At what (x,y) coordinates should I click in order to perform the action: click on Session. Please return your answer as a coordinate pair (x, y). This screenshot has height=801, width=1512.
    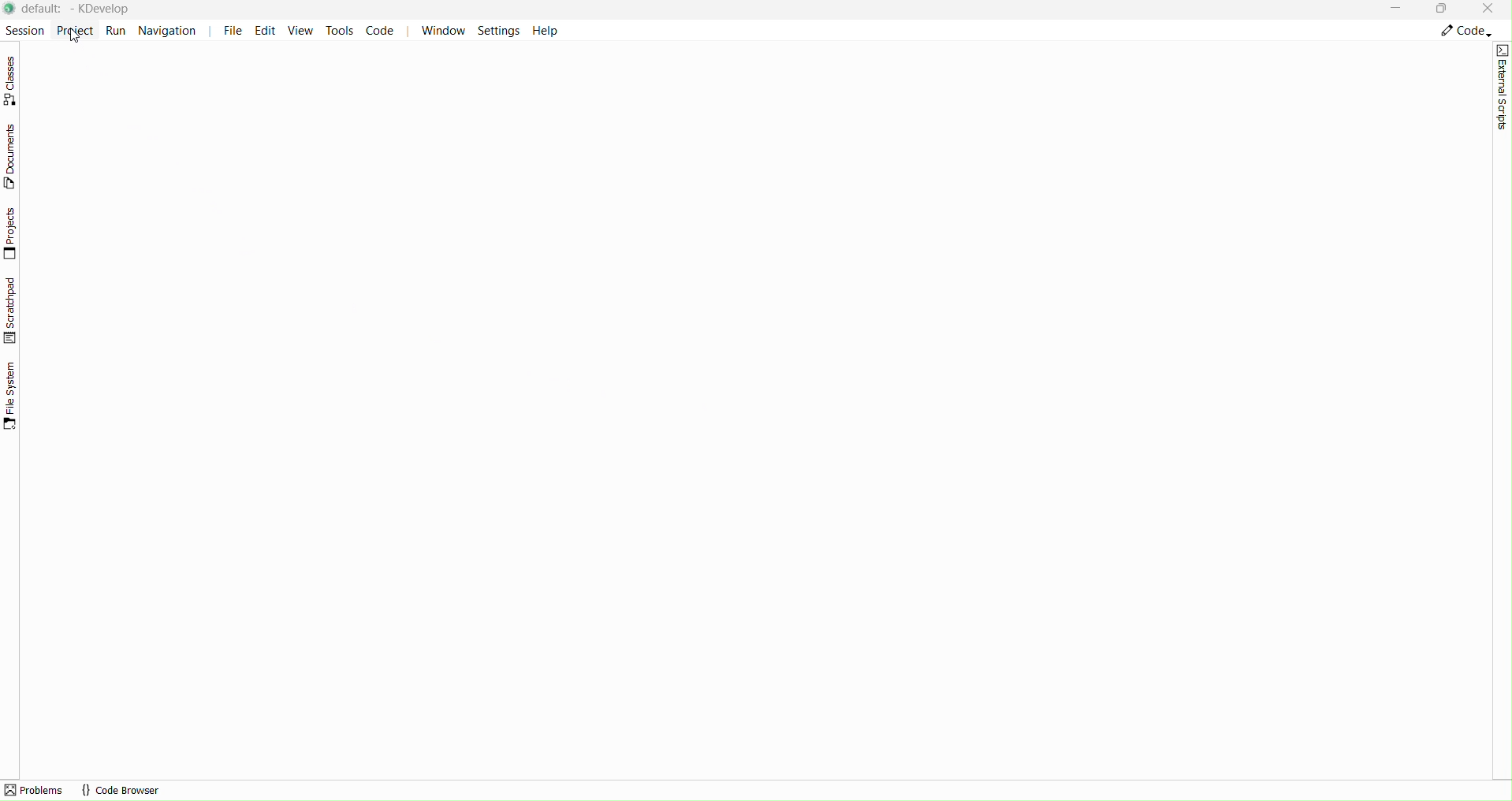
    Looking at the image, I should click on (23, 28).